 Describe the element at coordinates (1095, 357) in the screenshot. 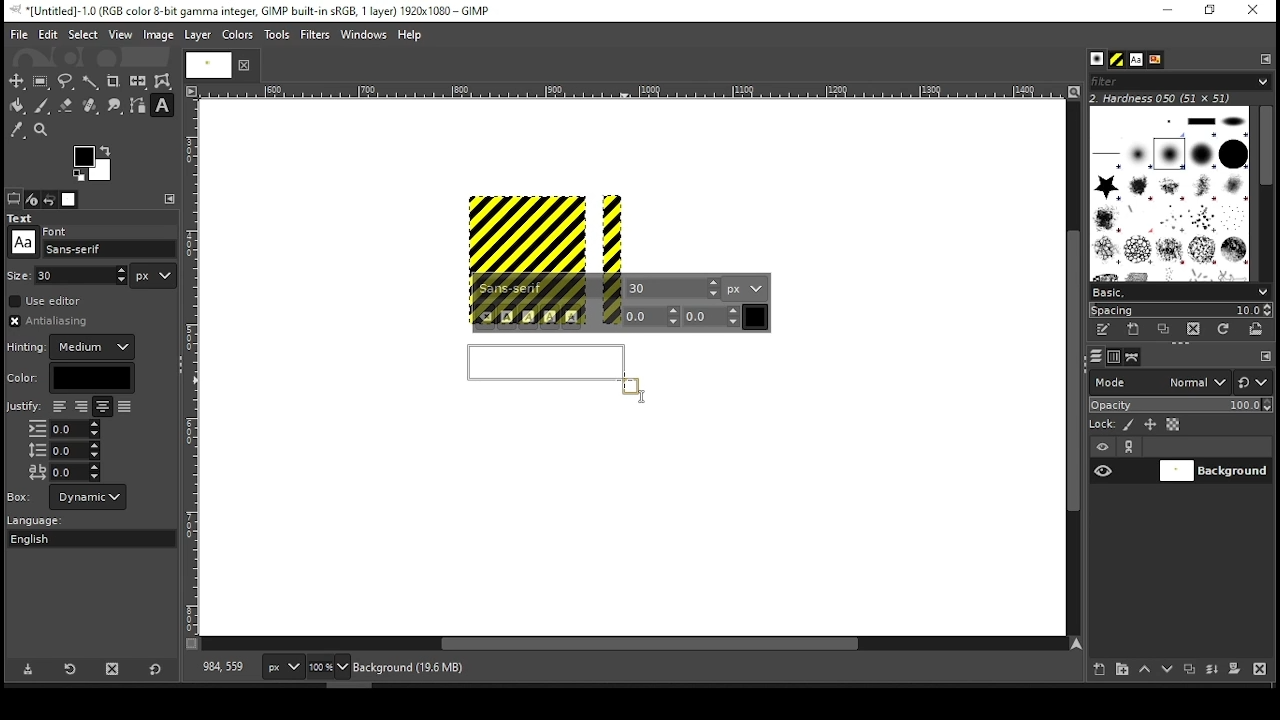

I see `layers` at that location.